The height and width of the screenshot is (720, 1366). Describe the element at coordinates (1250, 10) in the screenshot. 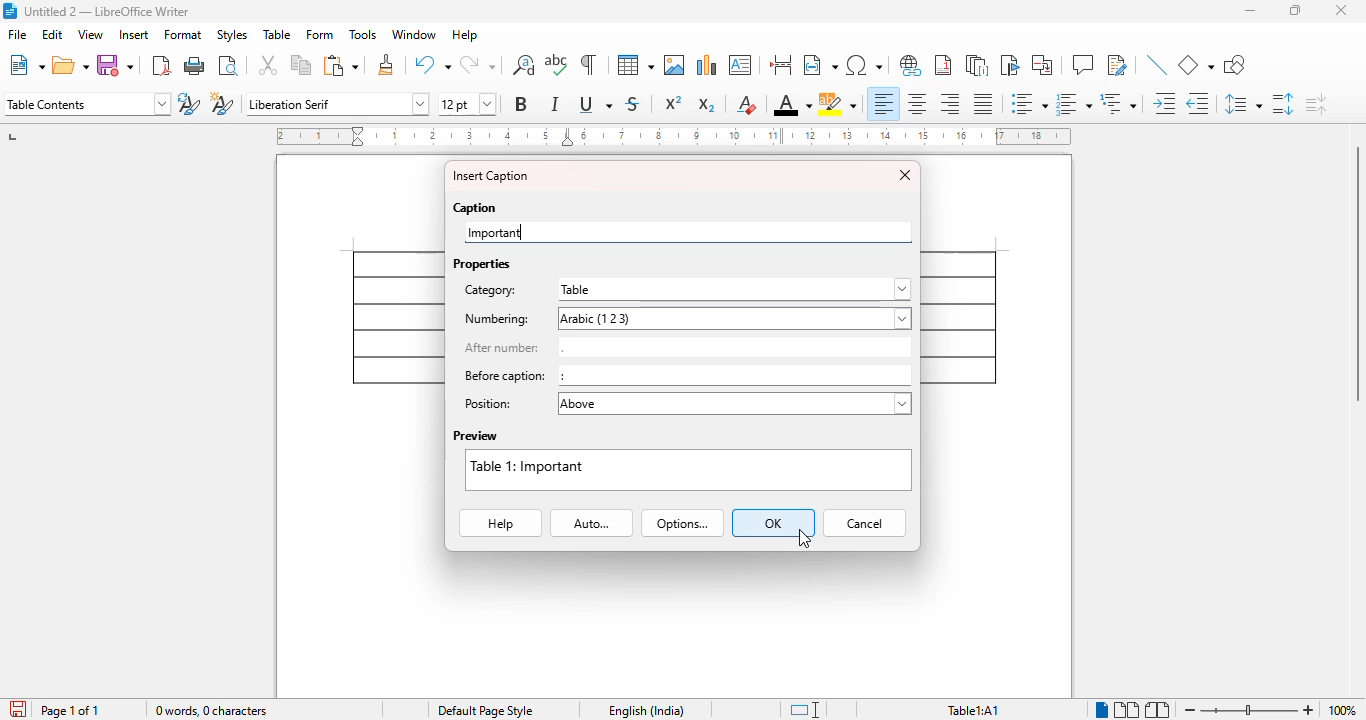

I see `minimize` at that location.